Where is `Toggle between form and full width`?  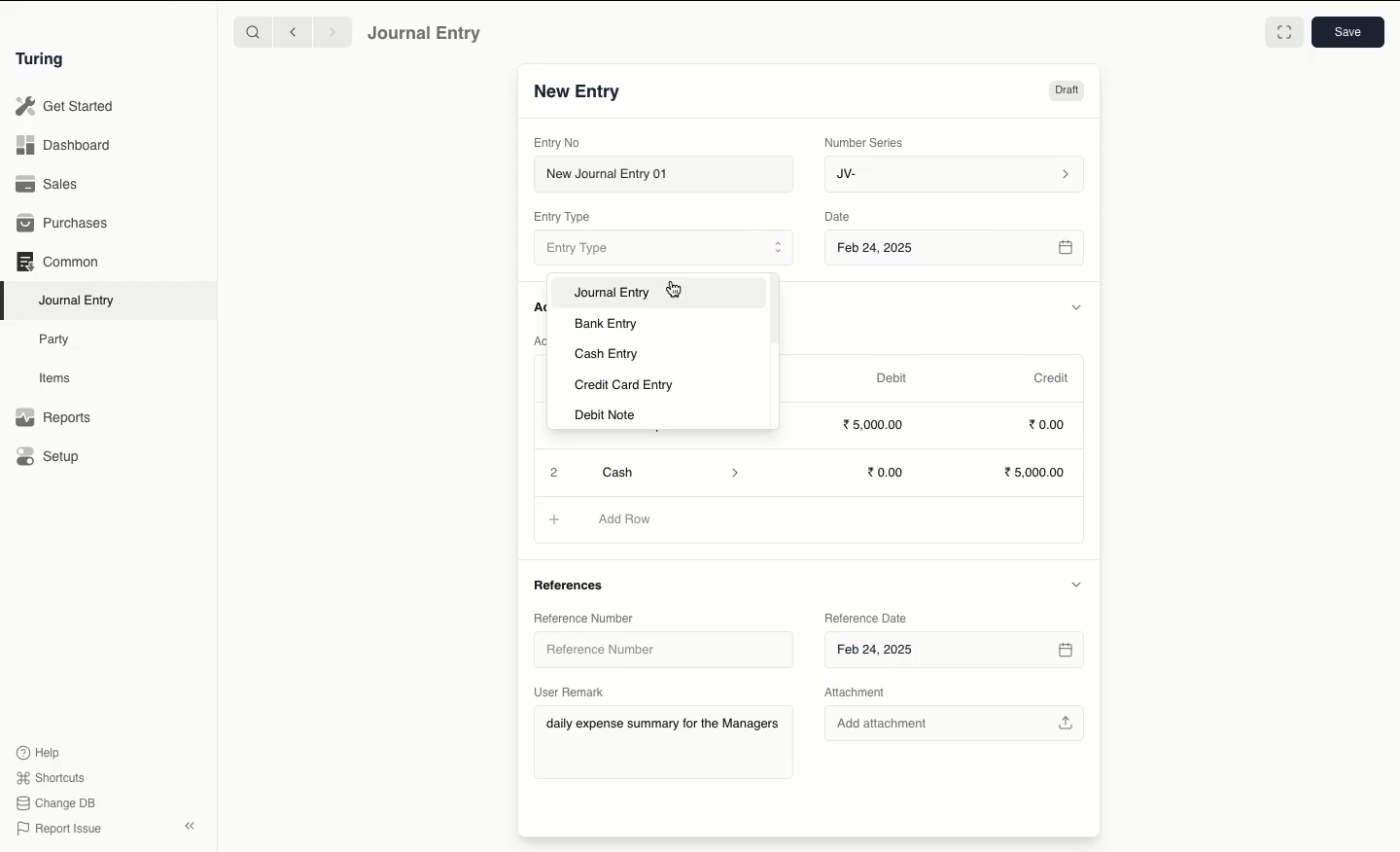 Toggle between form and full width is located at coordinates (1284, 32).